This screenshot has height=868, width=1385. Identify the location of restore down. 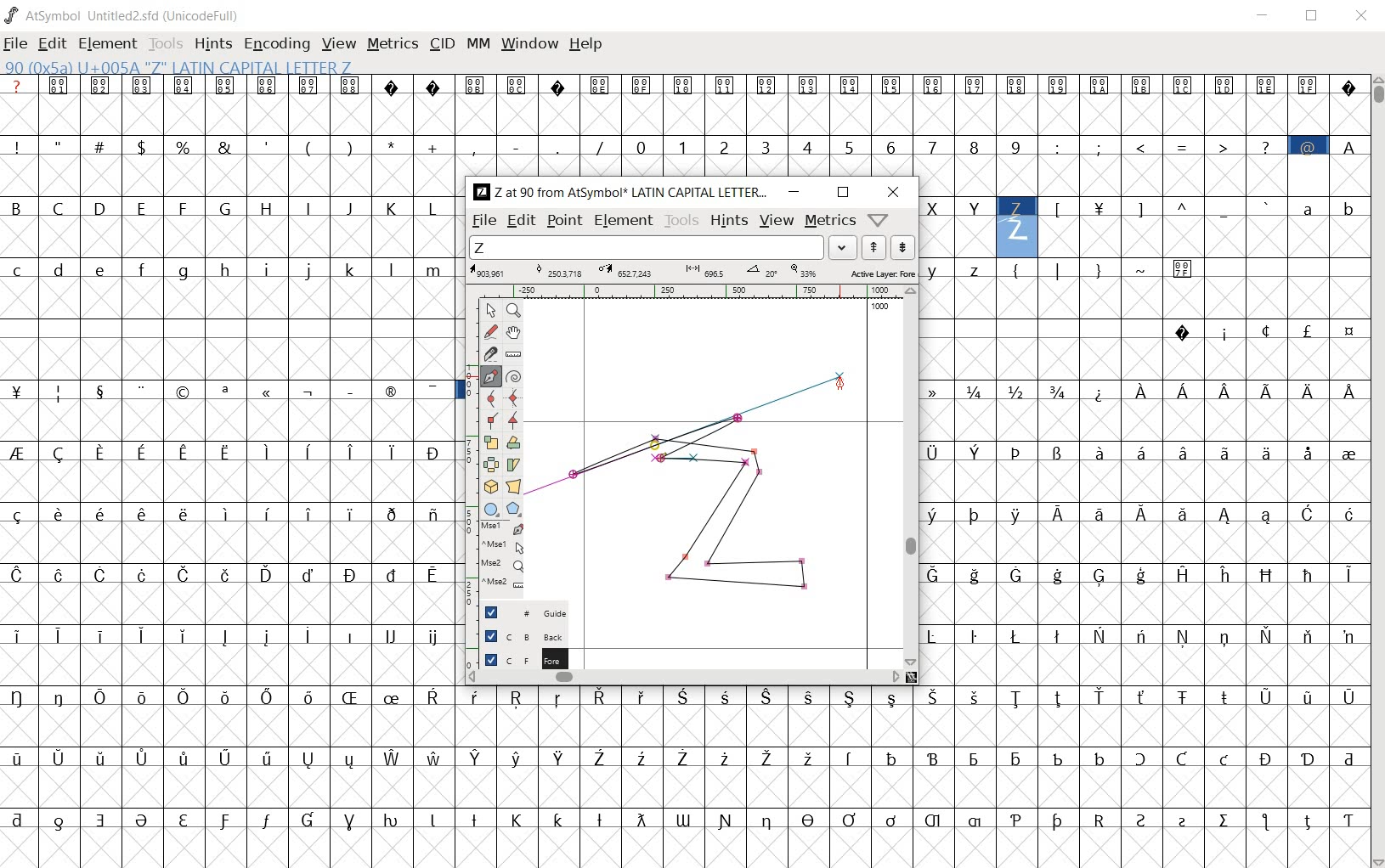
(1314, 18).